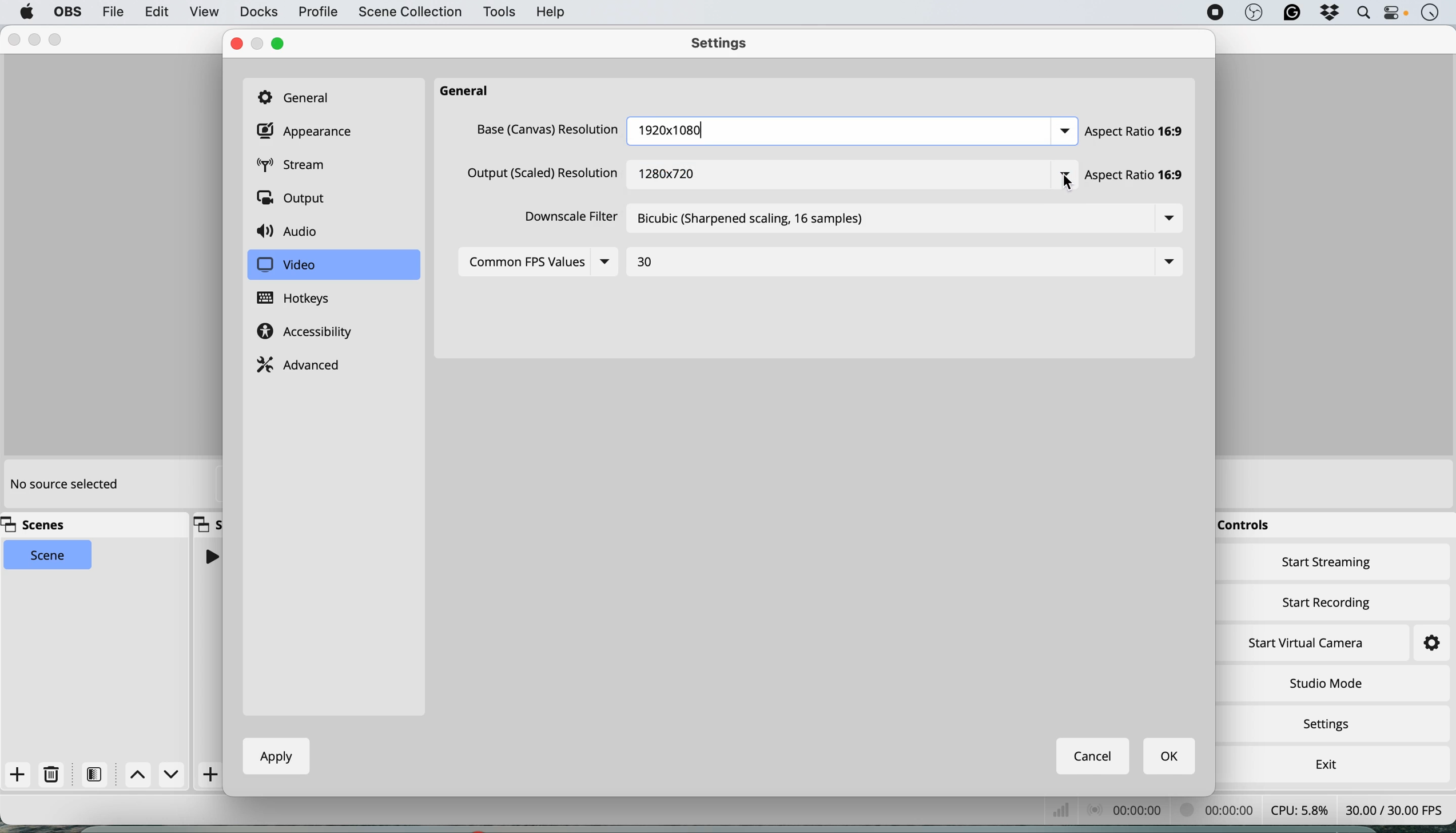 This screenshot has height=833, width=1456. Describe the element at coordinates (1171, 757) in the screenshot. I see `ok` at that location.